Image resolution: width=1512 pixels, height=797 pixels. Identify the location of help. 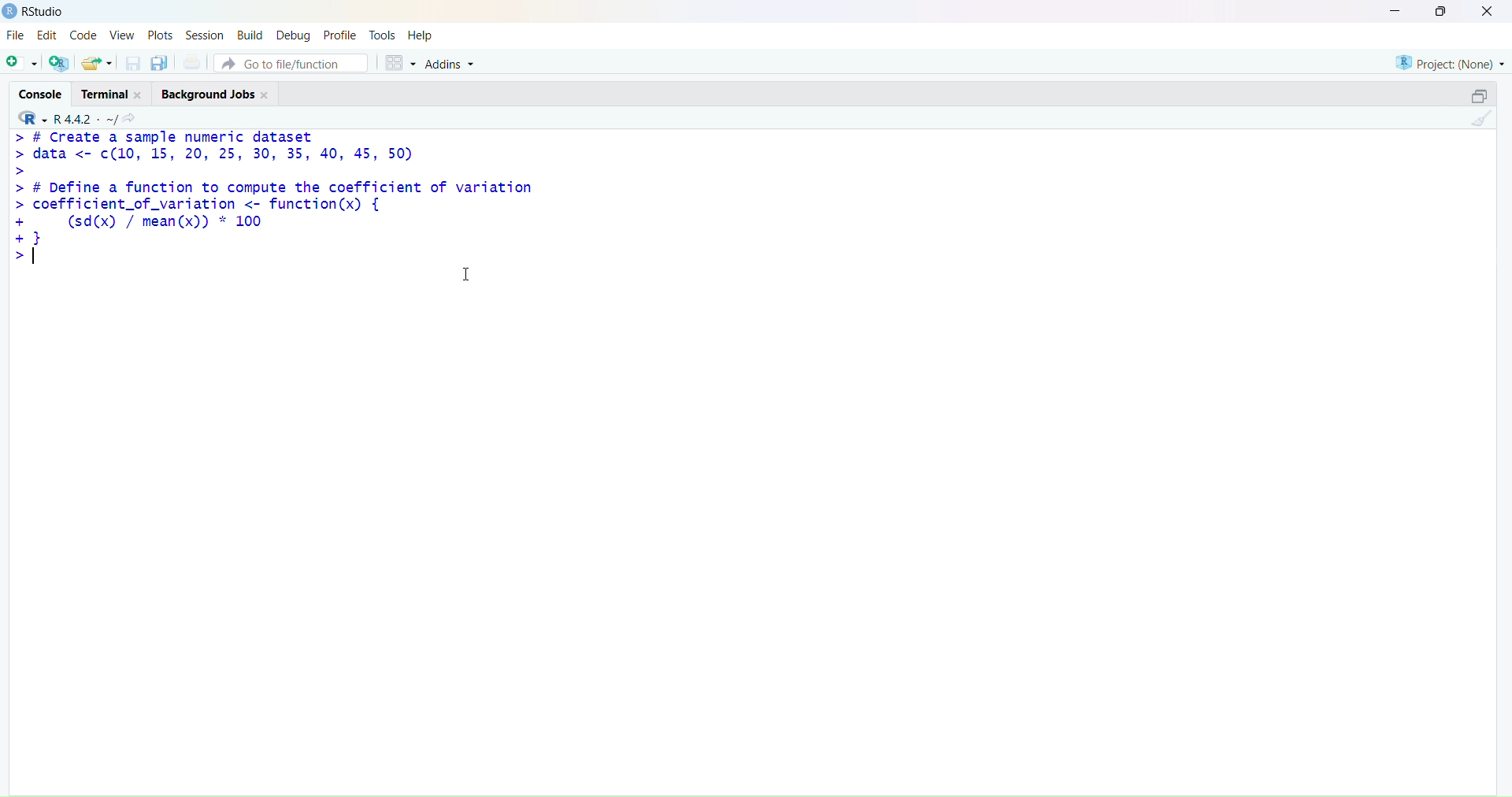
(421, 36).